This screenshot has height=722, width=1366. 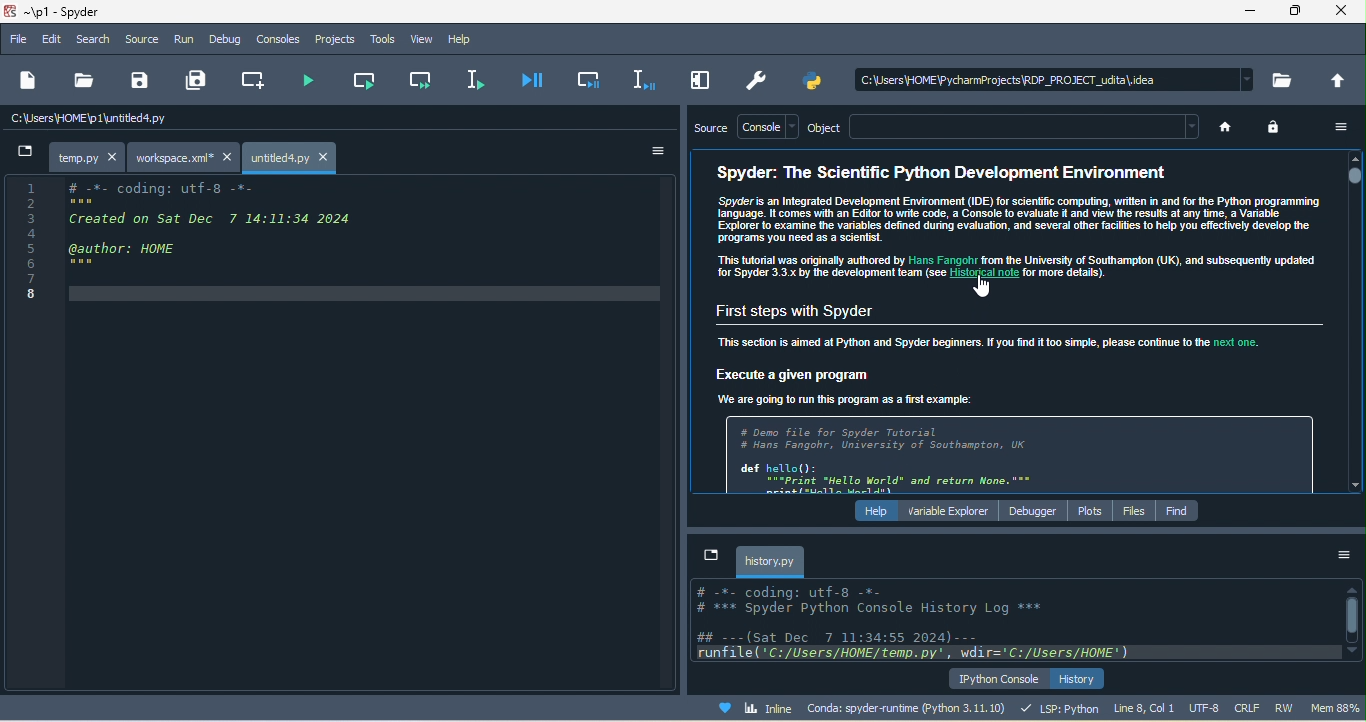 What do you see at coordinates (1250, 708) in the screenshot?
I see `crlf` at bounding box center [1250, 708].